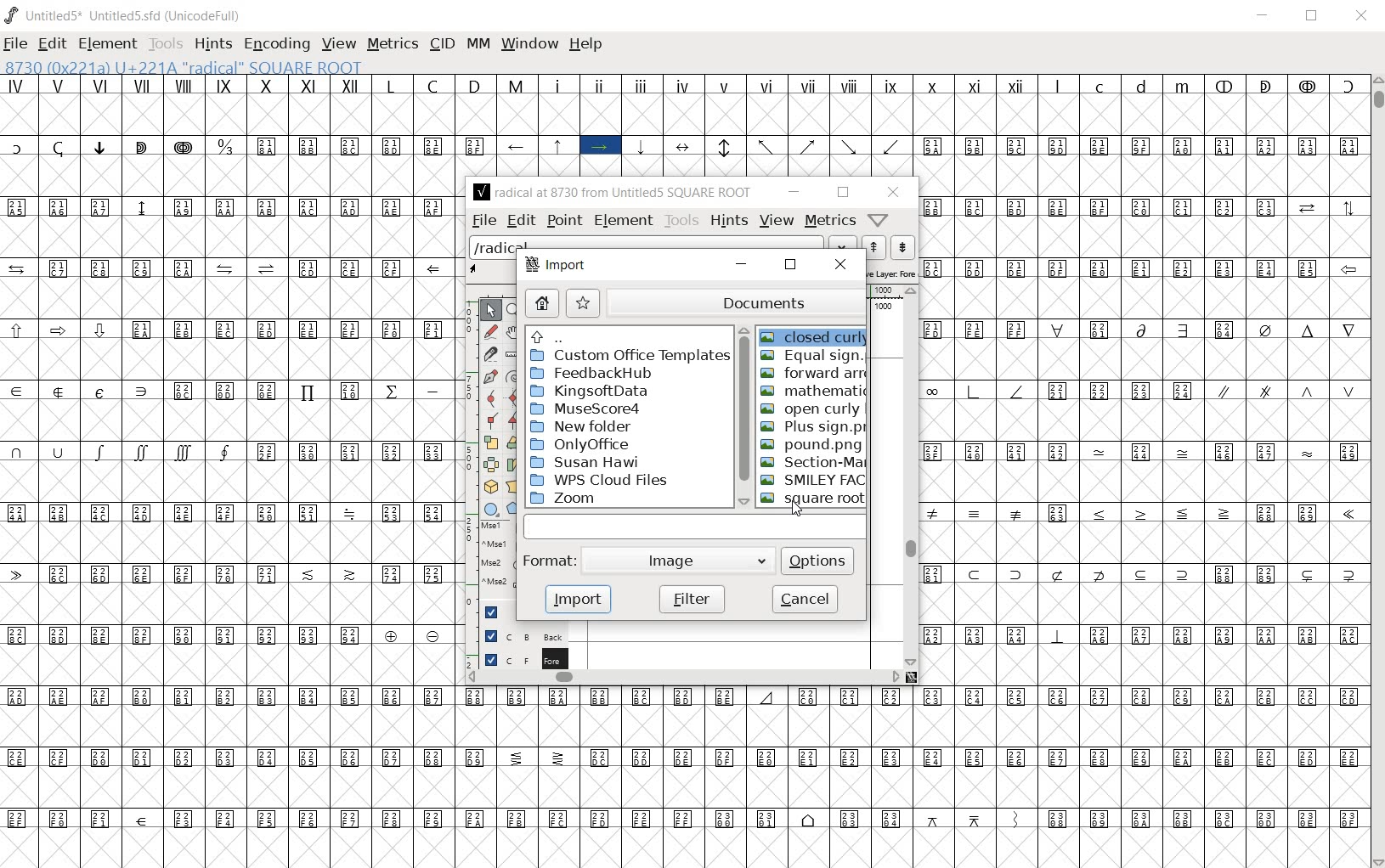  What do you see at coordinates (586, 45) in the screenshot?
I see `HELP` at bounding box center [586, 45].